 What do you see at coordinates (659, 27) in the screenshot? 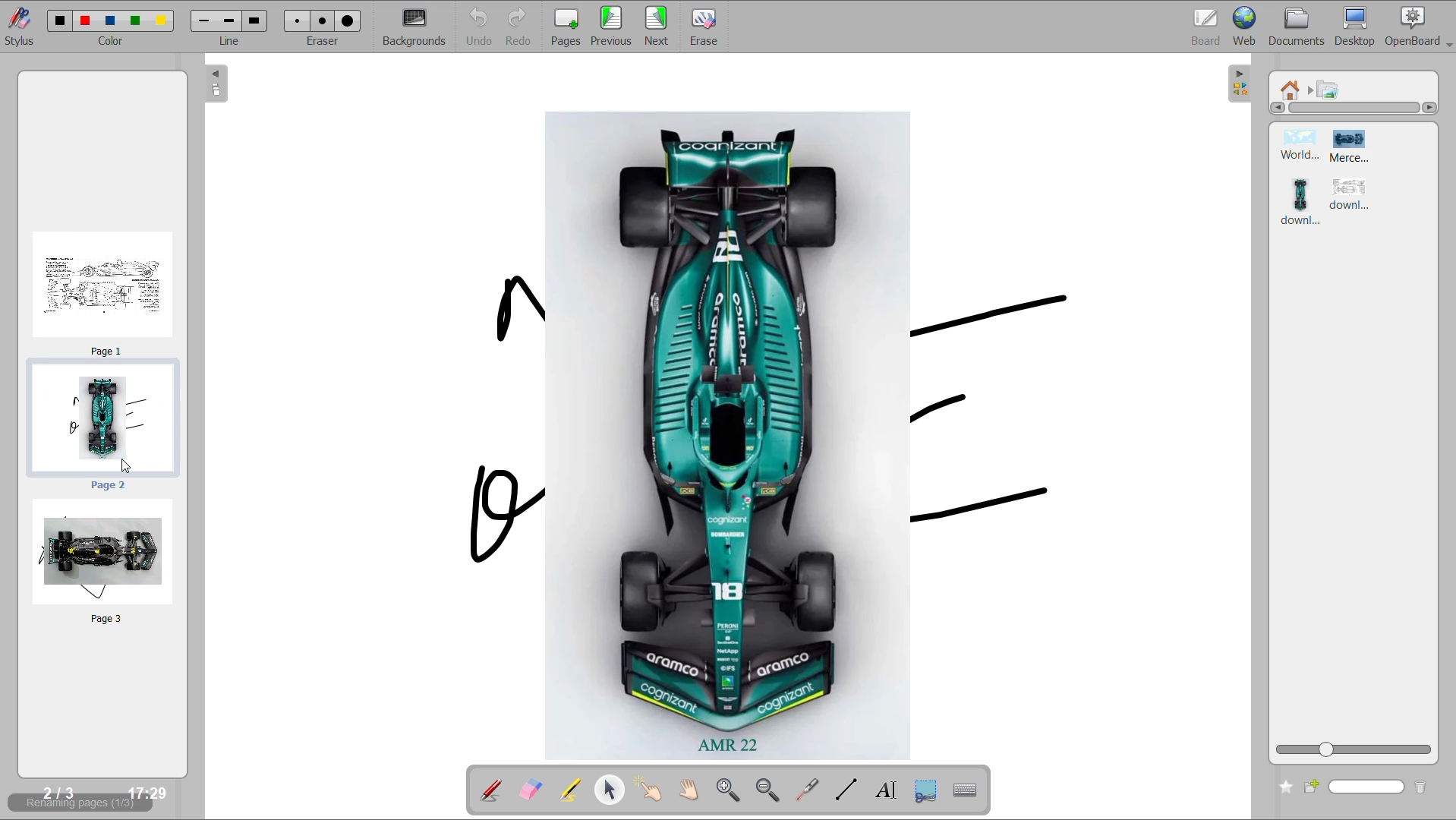
I see `next` at bounding box center [659, 27].